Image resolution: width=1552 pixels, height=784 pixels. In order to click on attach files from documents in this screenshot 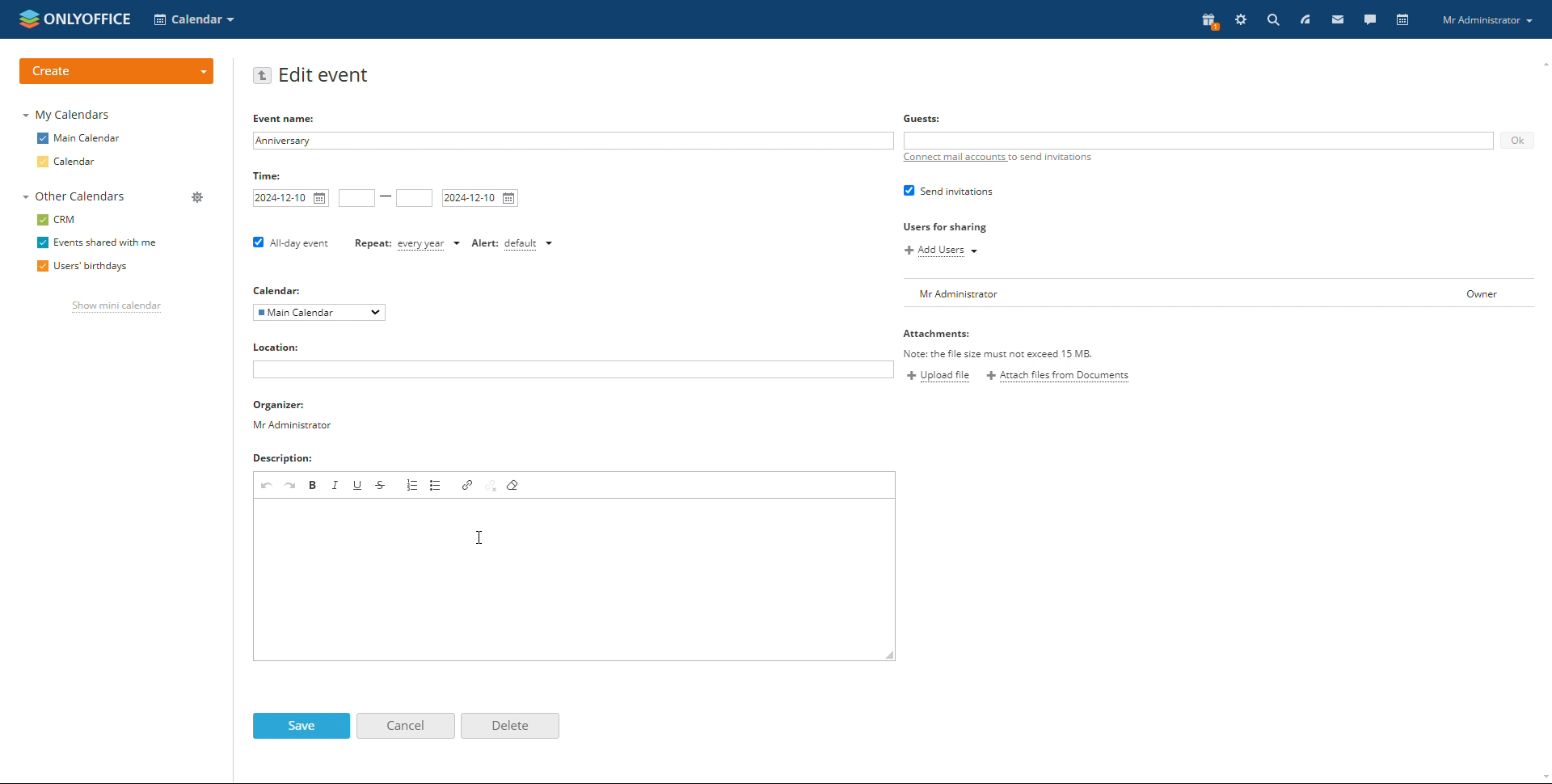, I will do `click(1058, 377)`.